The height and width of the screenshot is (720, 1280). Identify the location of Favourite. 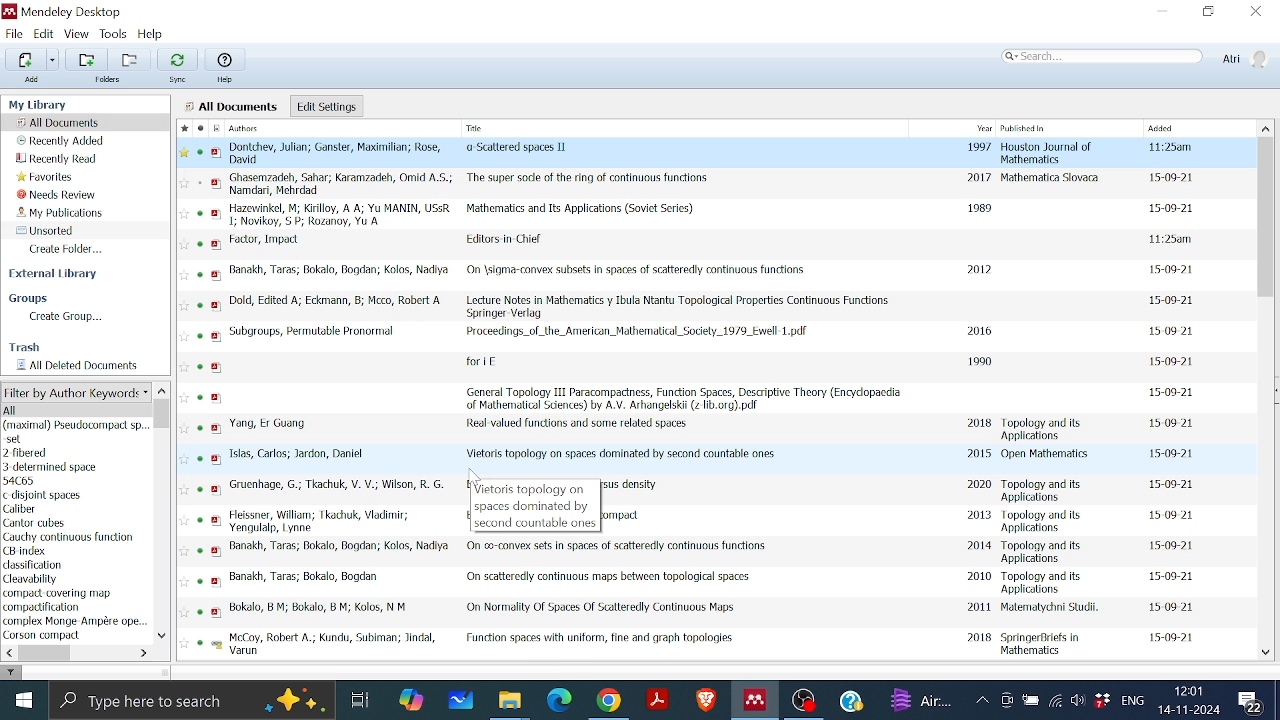
(186, 129).